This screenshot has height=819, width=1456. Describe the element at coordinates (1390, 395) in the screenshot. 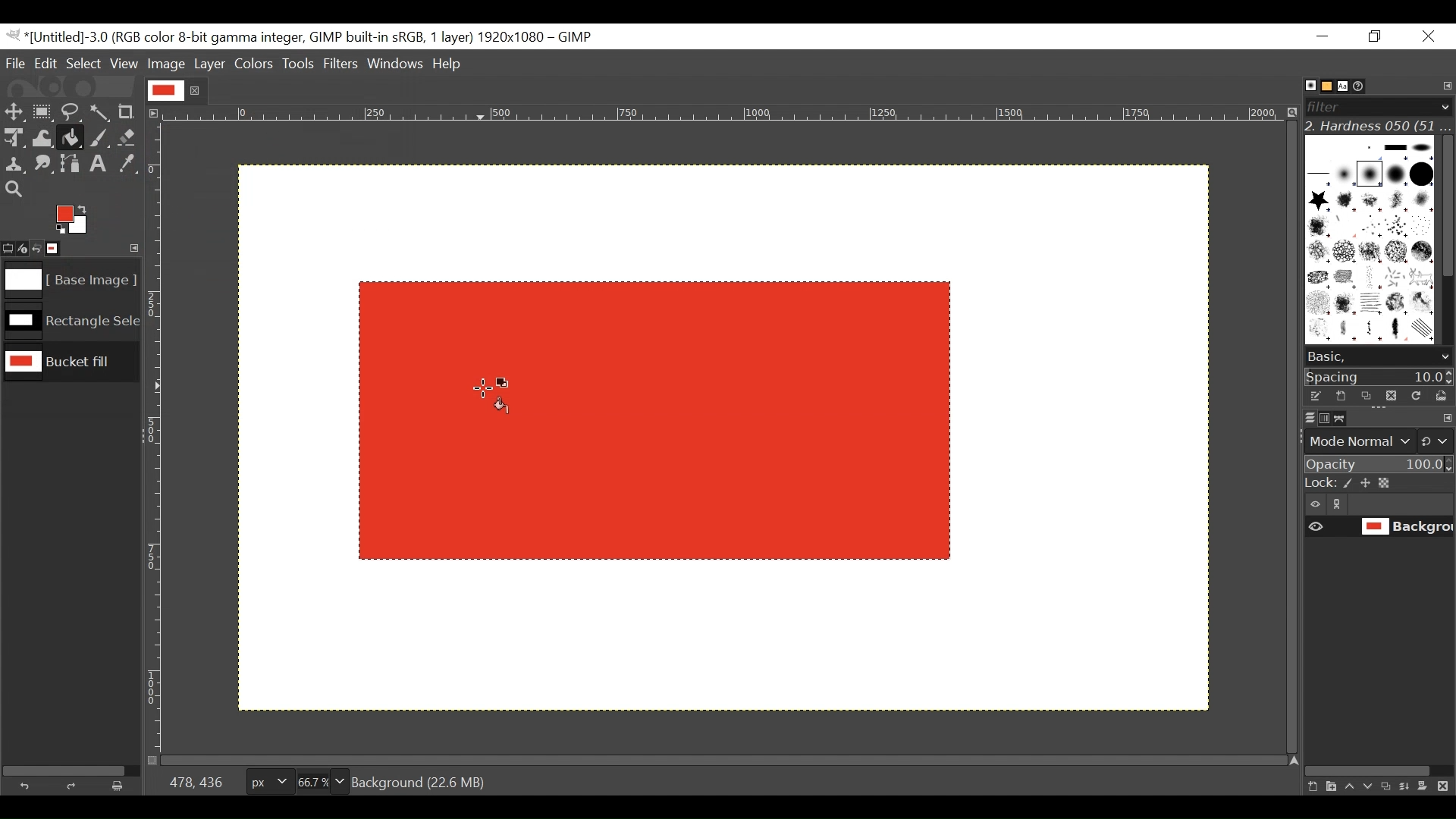

I see `Duplicate brush` at that location.